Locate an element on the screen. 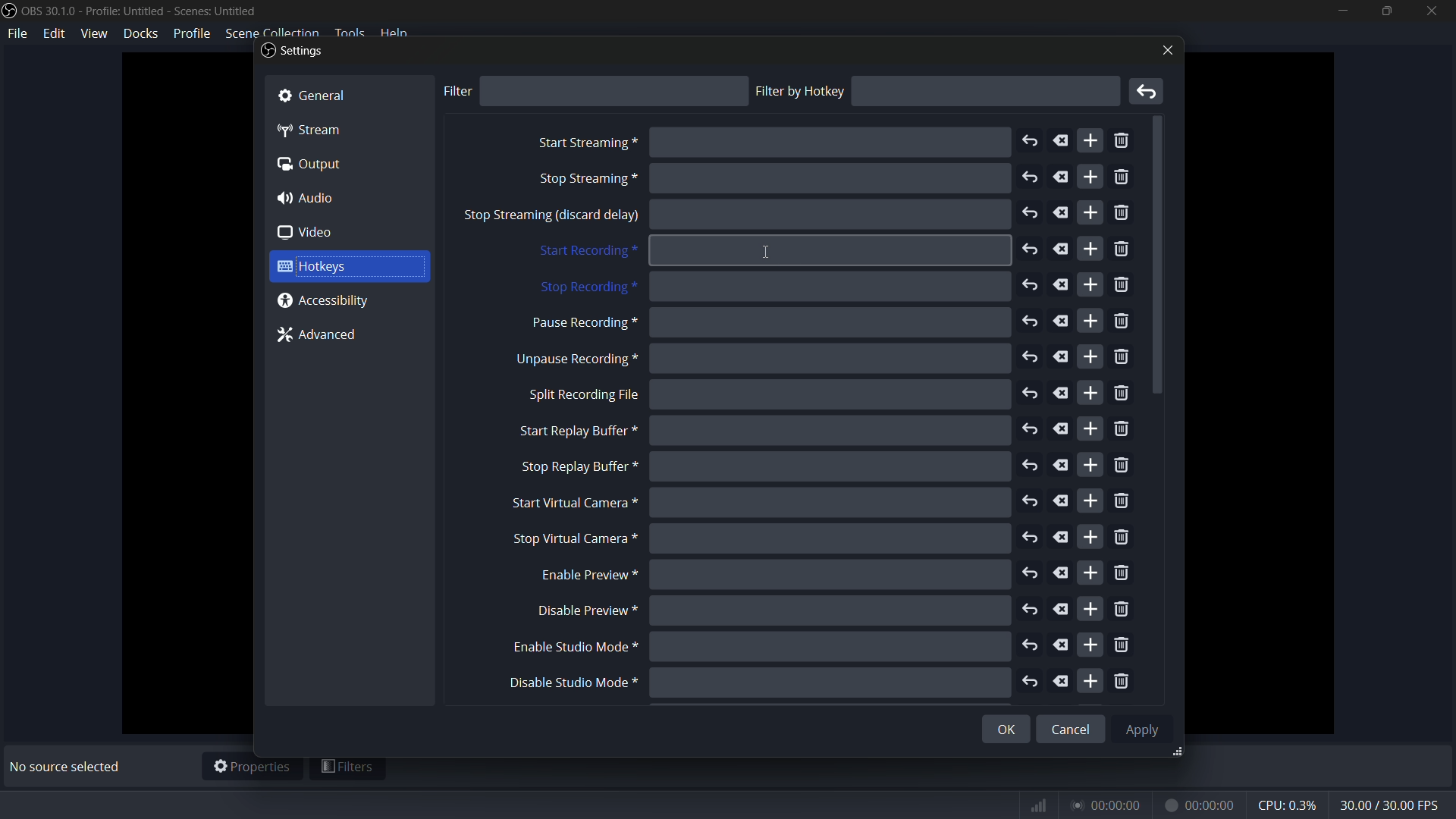  (a Output is located at coordinates (312, 166).